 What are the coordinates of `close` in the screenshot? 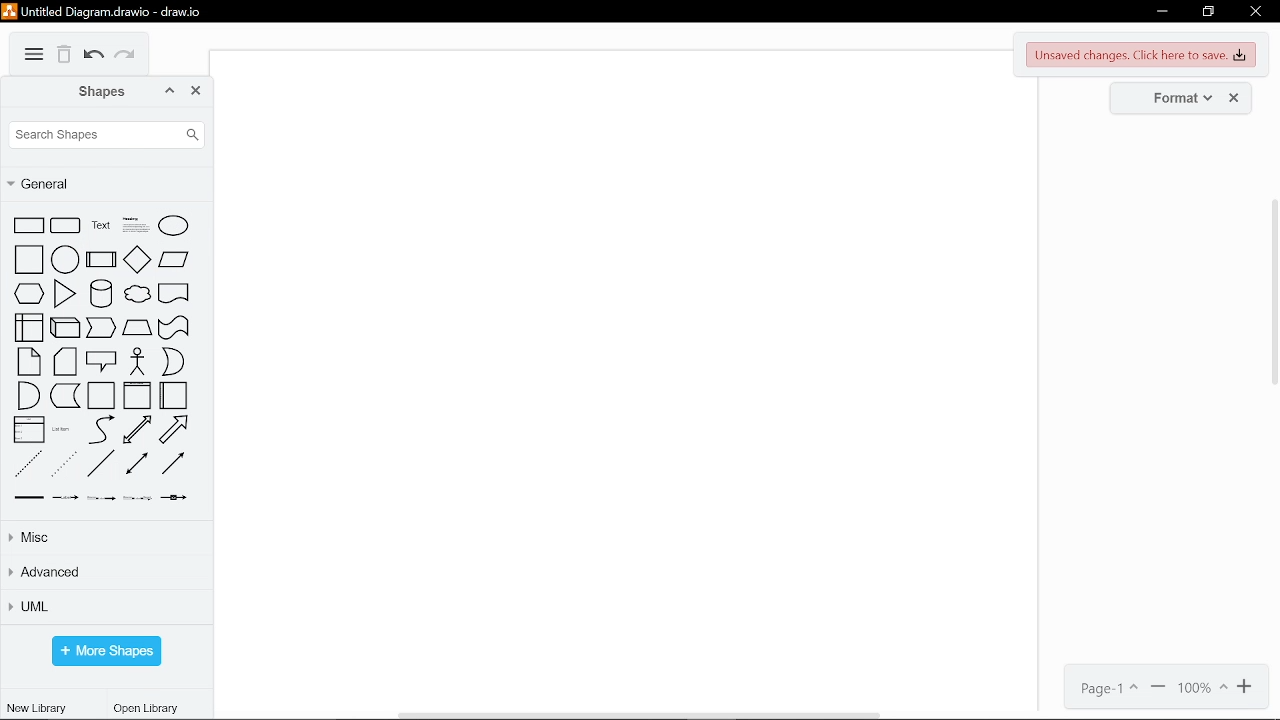 It's located at (197, 91).